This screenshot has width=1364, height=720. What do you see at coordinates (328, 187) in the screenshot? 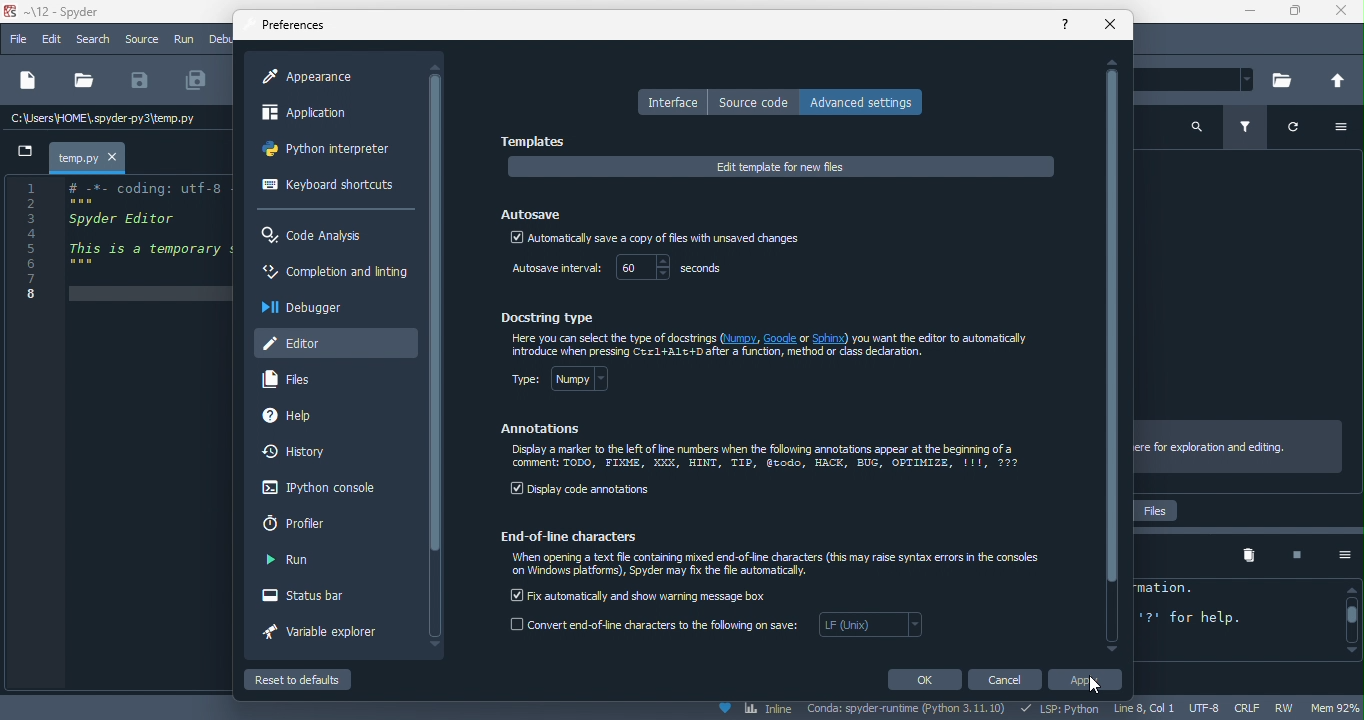
I see `keyboard shortcuts` at bounding box center [328, 187].